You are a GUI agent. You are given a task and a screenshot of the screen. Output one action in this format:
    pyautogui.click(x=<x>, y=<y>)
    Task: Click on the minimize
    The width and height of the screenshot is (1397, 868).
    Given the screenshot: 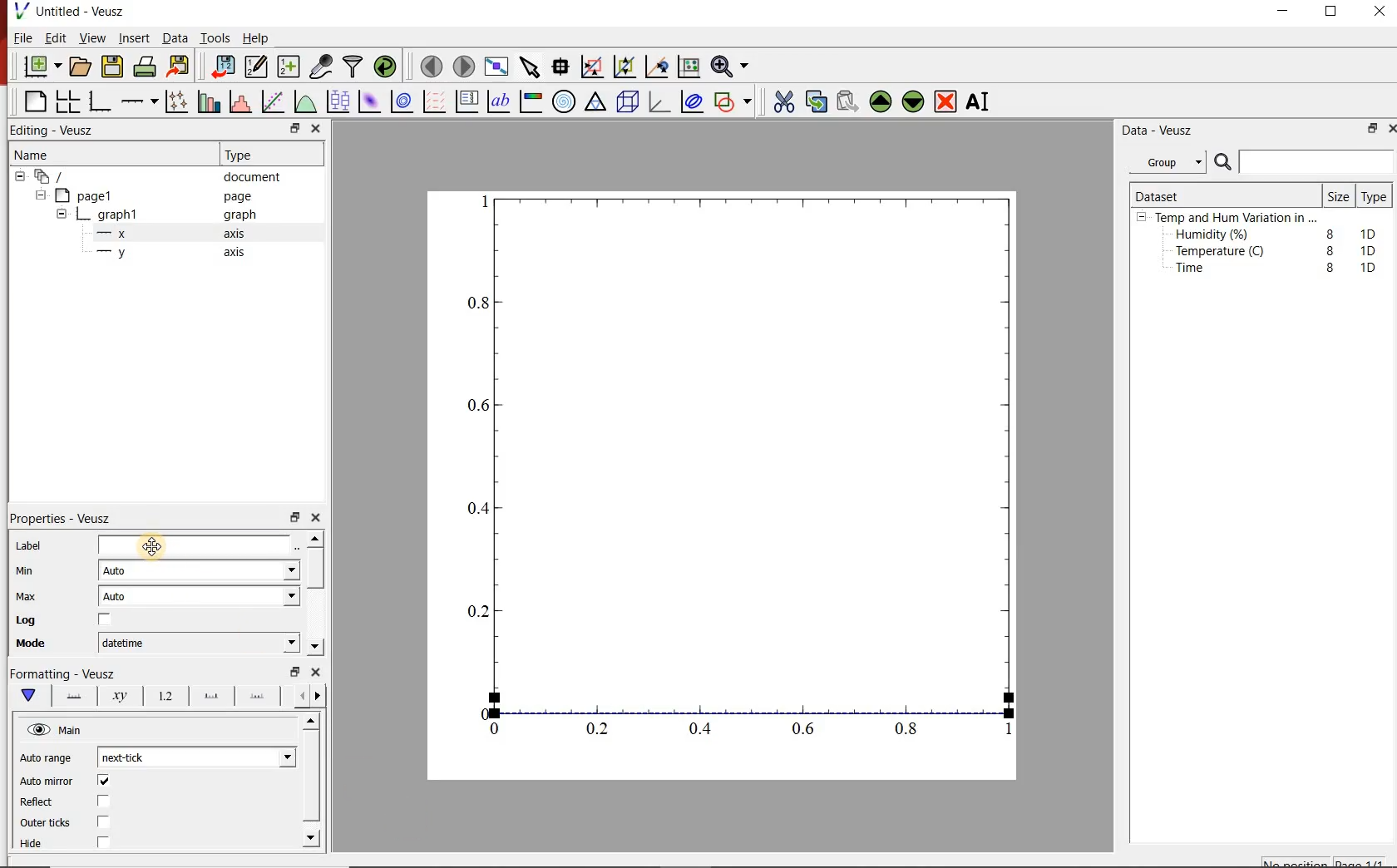 What is the action you would take?
    pyautogui.click(x=1289, y=12)
    